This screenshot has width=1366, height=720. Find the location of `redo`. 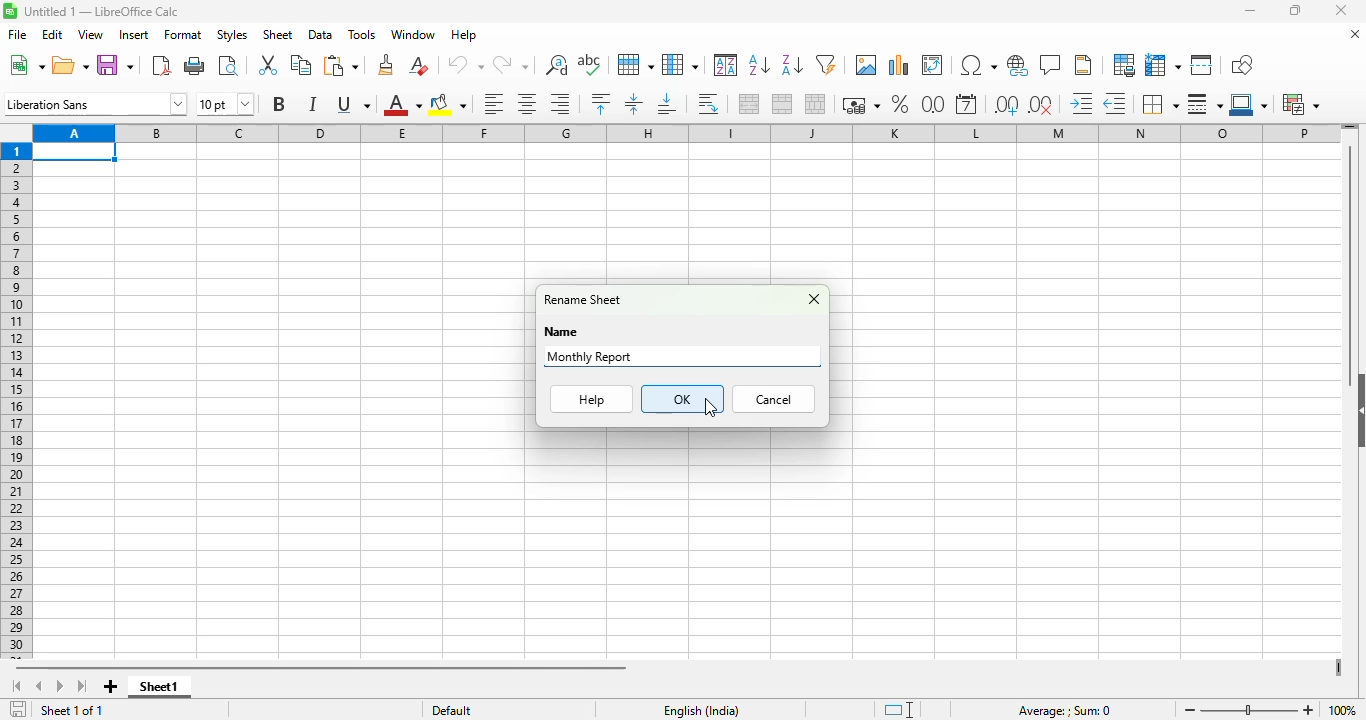

redo is located at coordinates (511, 65).